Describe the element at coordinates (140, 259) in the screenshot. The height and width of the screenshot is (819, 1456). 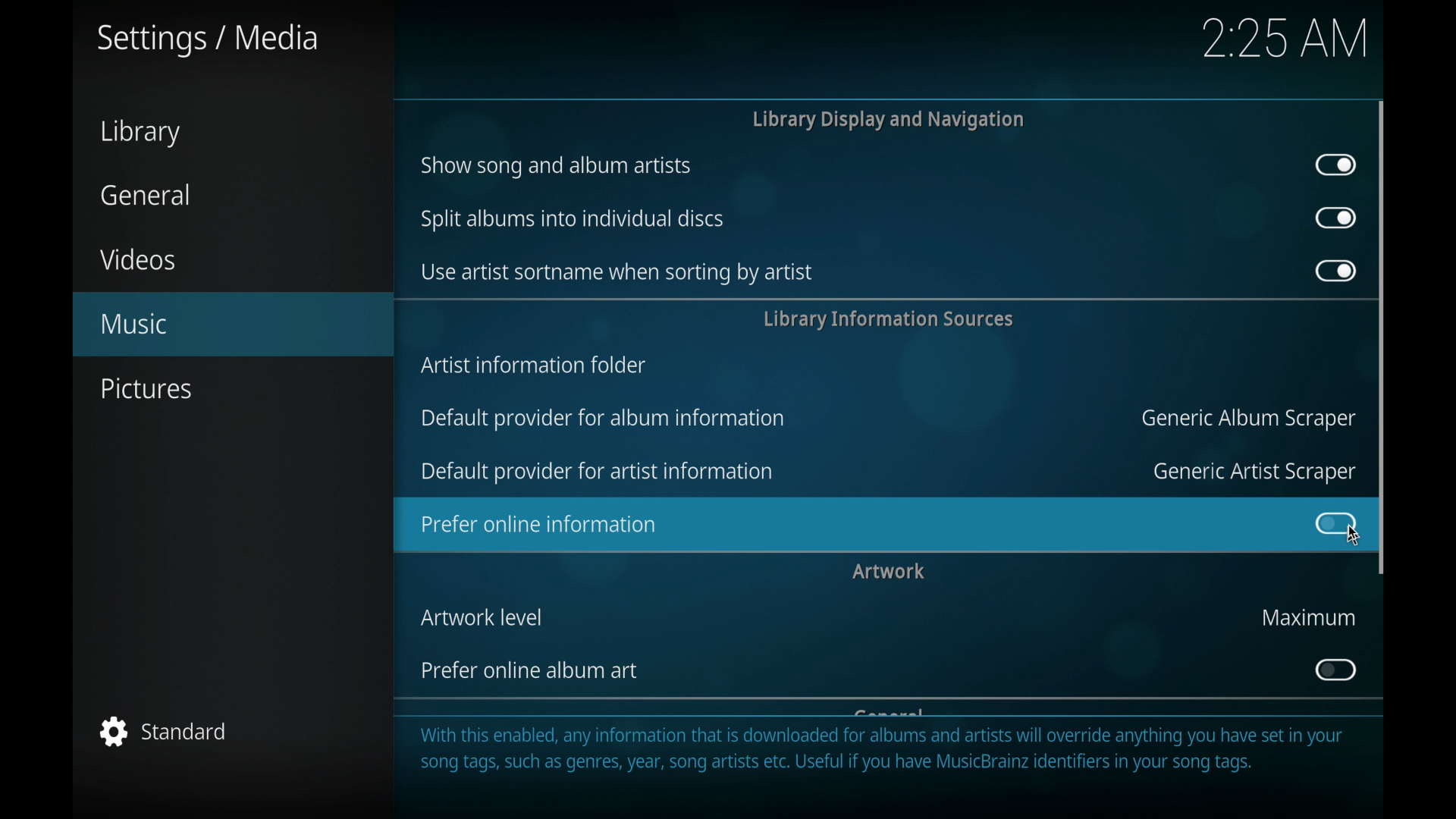
I see `videos` at that location.